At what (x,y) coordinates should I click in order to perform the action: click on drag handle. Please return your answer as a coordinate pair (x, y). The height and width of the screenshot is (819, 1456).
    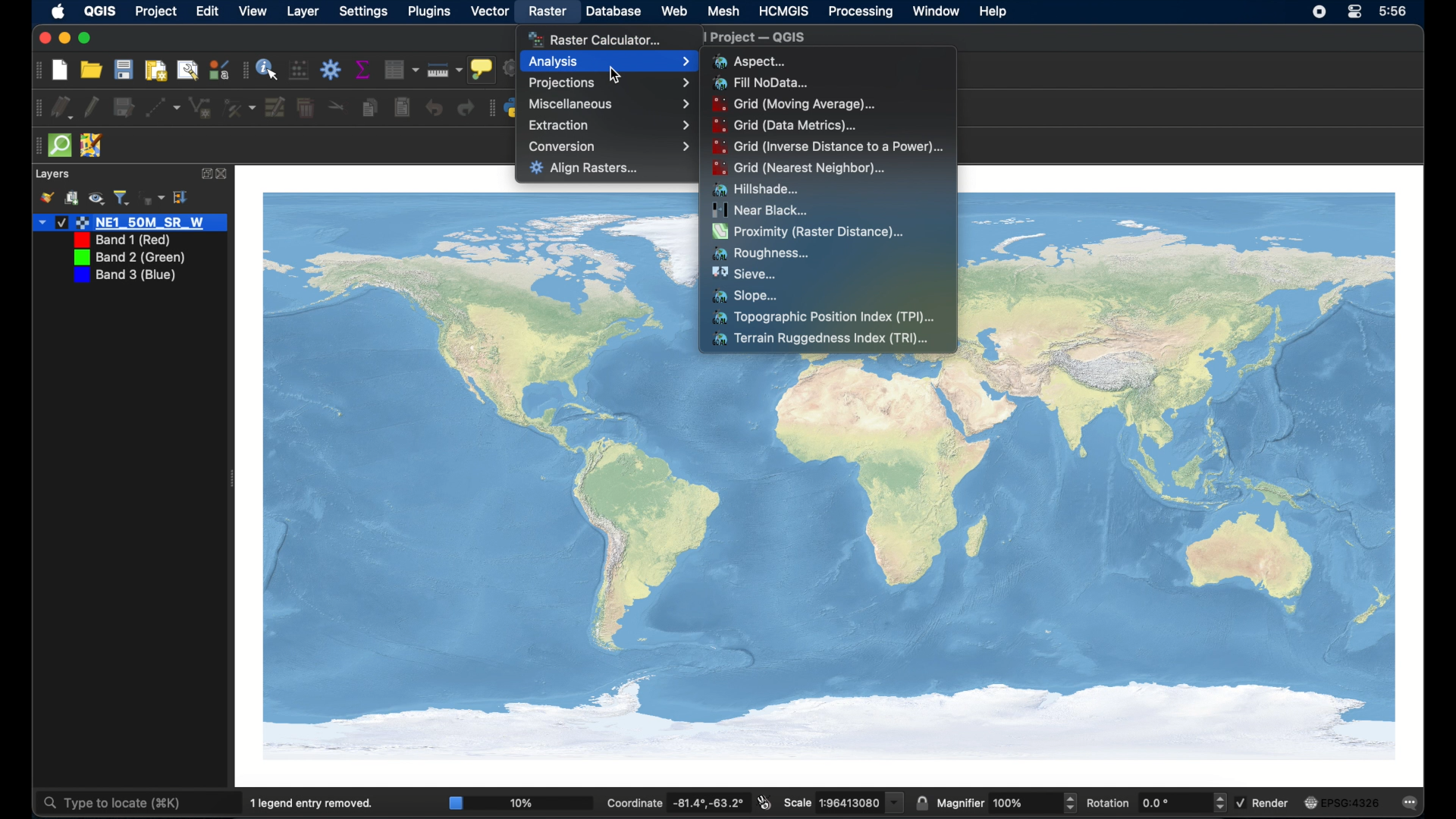
    Looking at the image, I should click on (45, 71).